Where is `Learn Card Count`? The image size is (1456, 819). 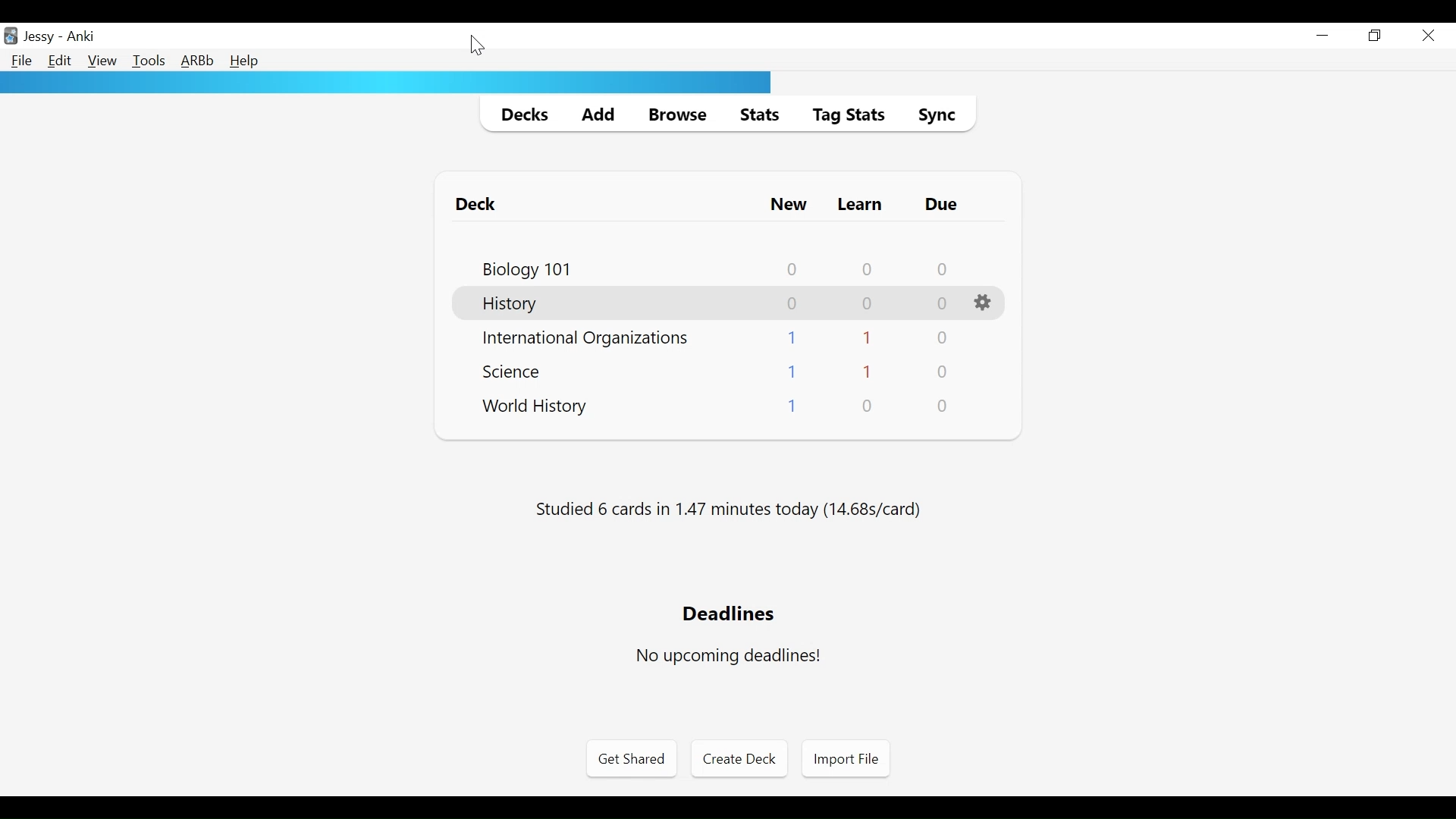 Learn Card Count is located at coordinates (868, 269).